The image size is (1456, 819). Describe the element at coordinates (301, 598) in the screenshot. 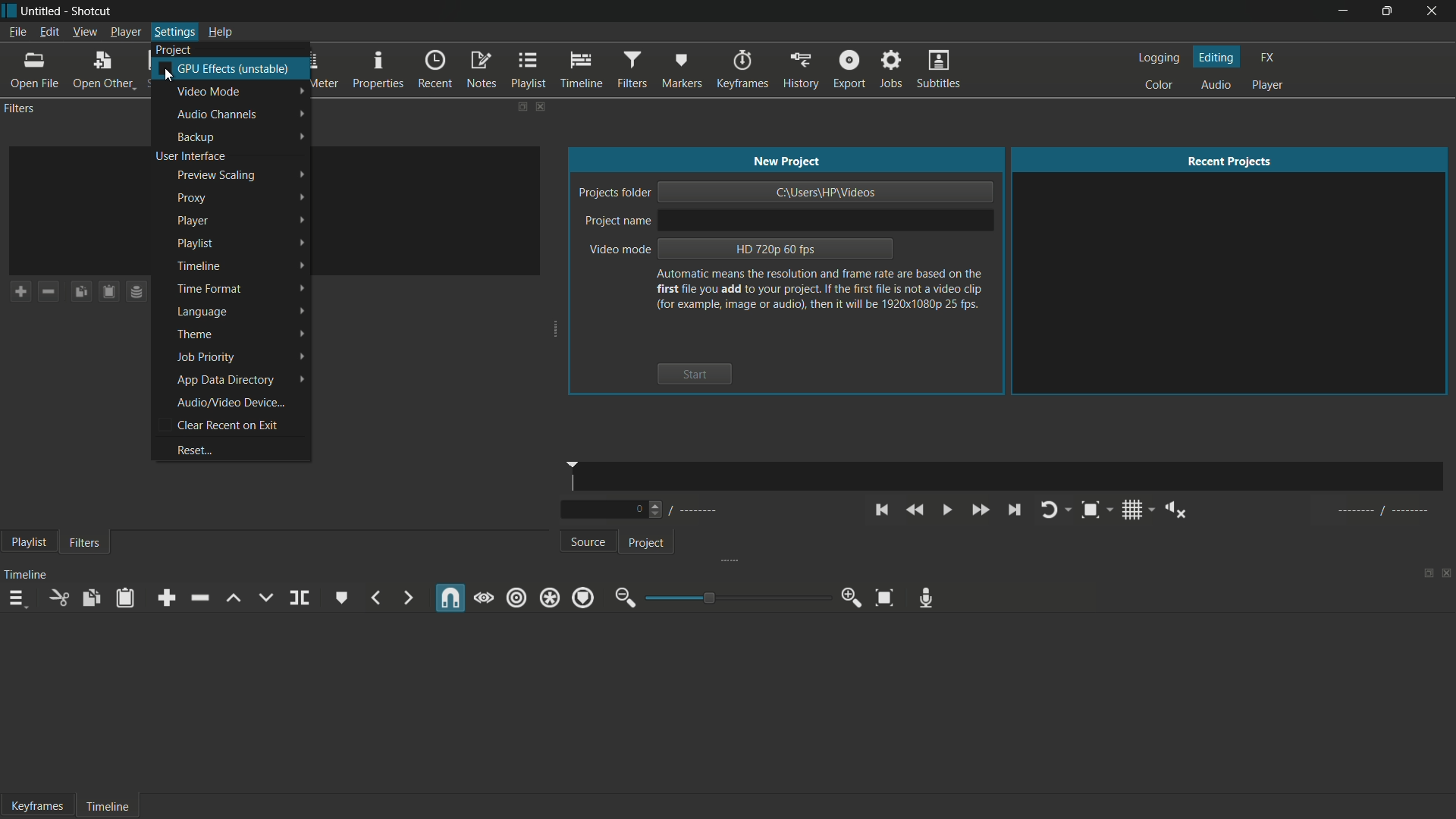

I see `split at playhead` at that location.